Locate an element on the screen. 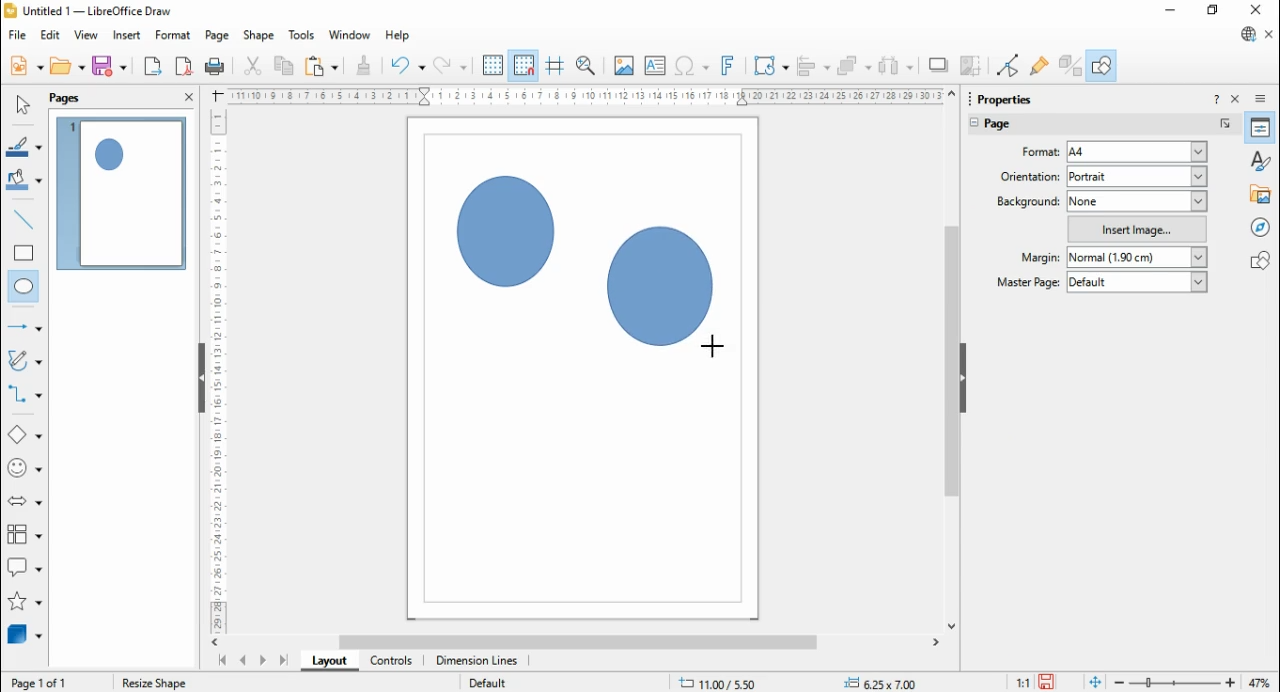 This screenshot has width=1280, height=692. undo is located at coordinates (408, 66).